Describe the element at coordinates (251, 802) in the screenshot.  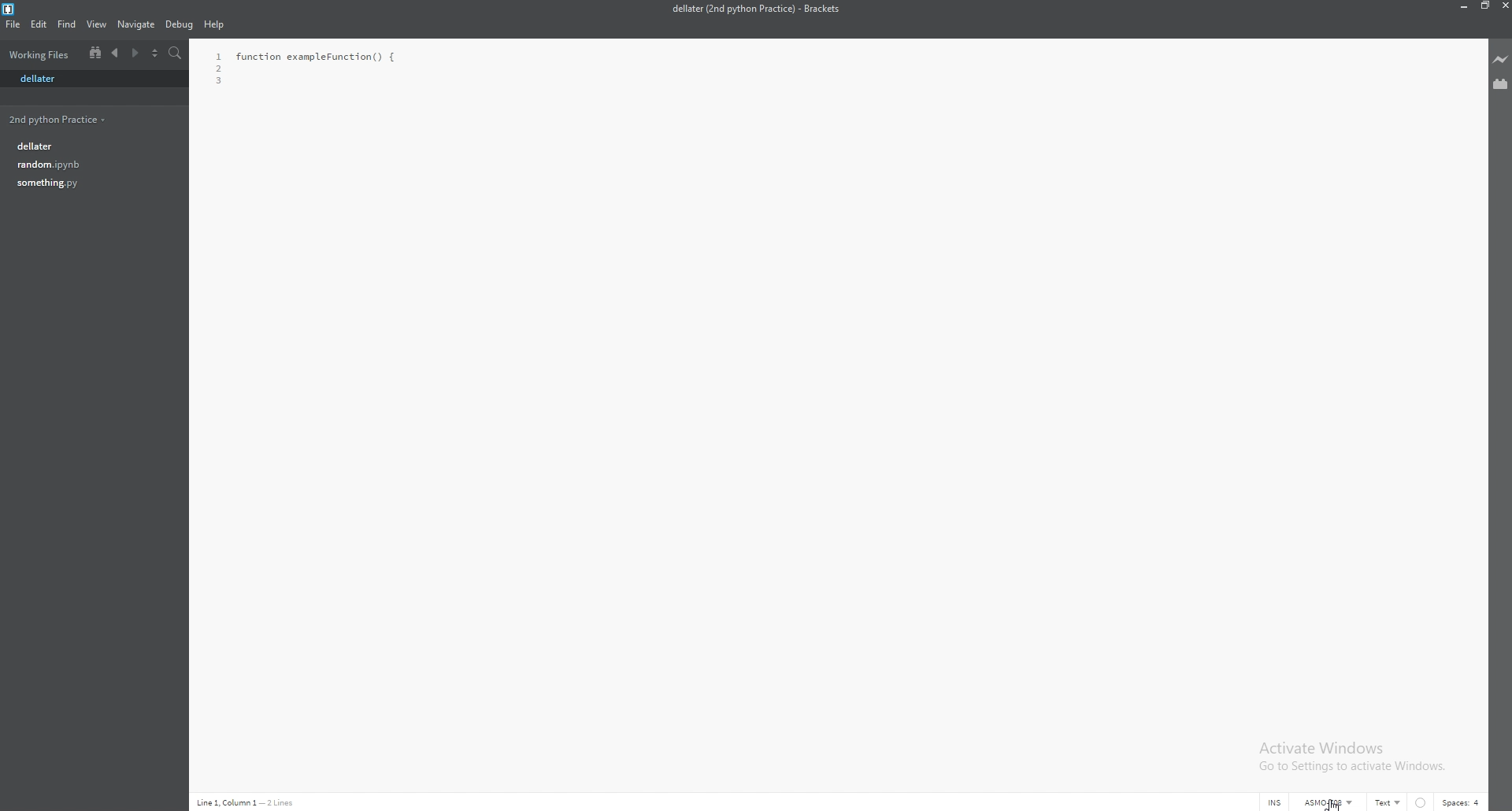
I see `line 1, column 1 - 2 lines` at that location.